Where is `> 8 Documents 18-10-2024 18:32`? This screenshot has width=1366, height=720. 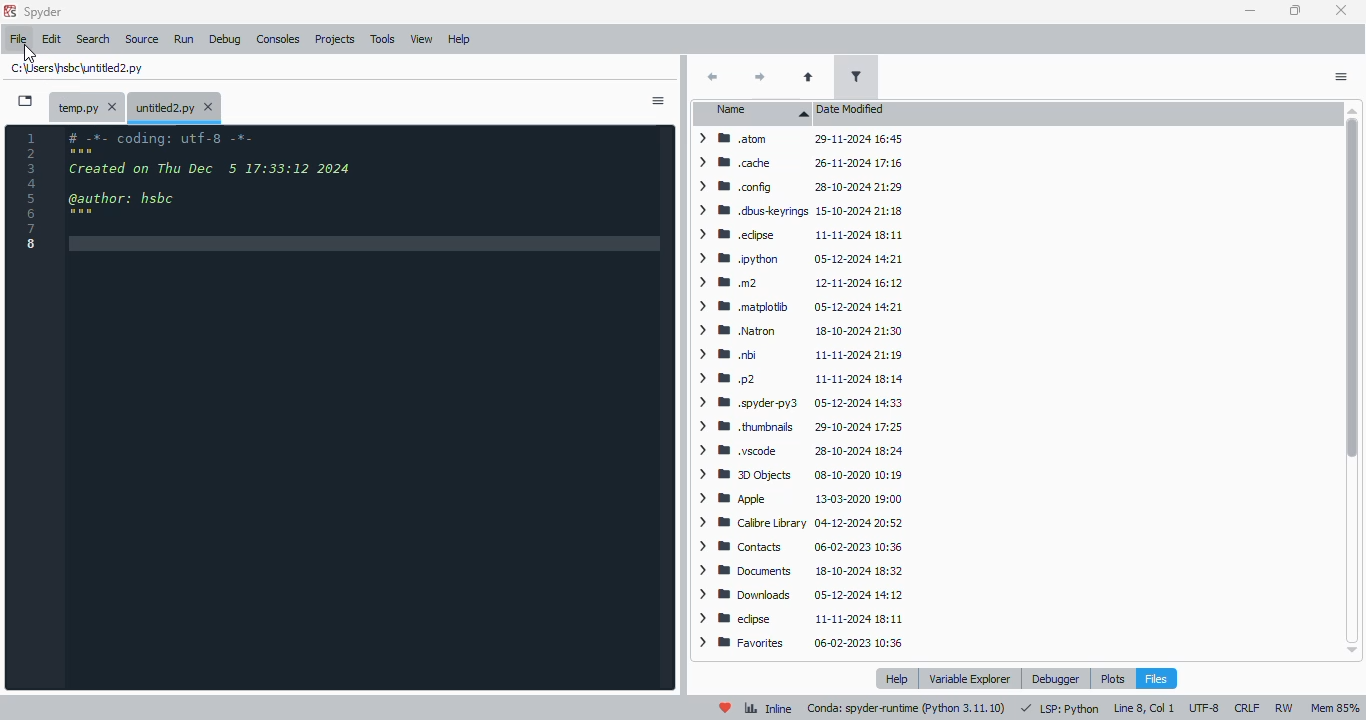
> 8 Documents 18-10-2024 18:32 is located at coordinates (797, 571).